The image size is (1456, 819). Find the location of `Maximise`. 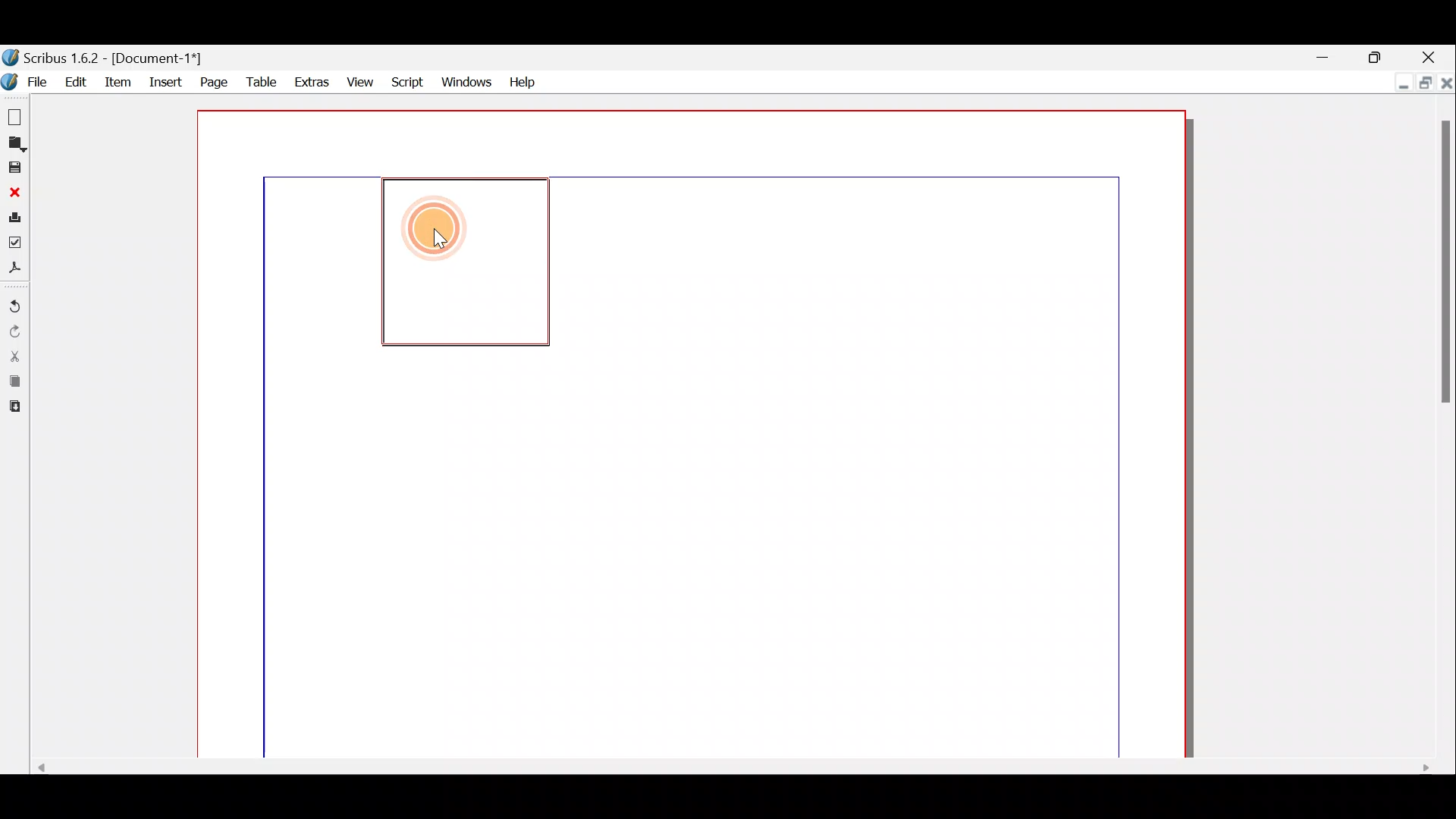

Maximise is located at coordinates (1423, 81).